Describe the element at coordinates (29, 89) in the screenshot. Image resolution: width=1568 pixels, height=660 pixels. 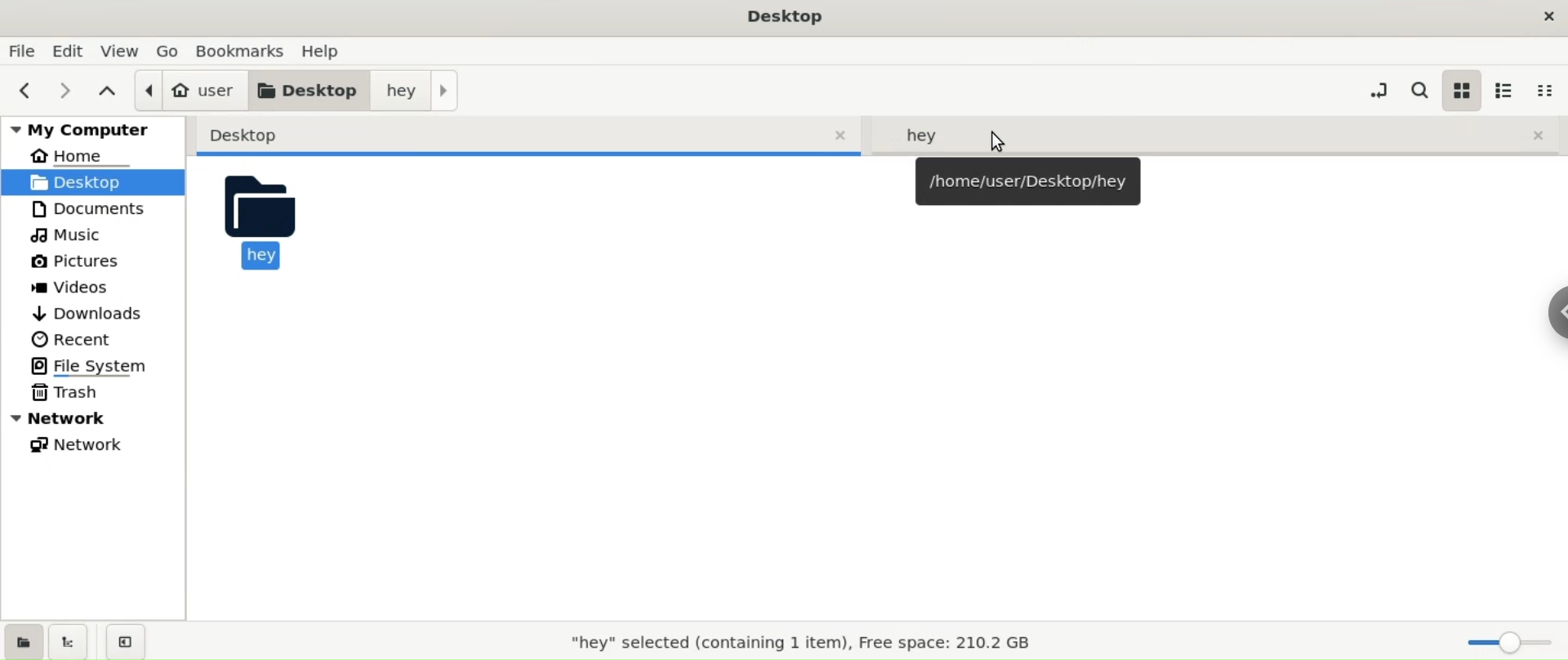
I see `previous` at that location.